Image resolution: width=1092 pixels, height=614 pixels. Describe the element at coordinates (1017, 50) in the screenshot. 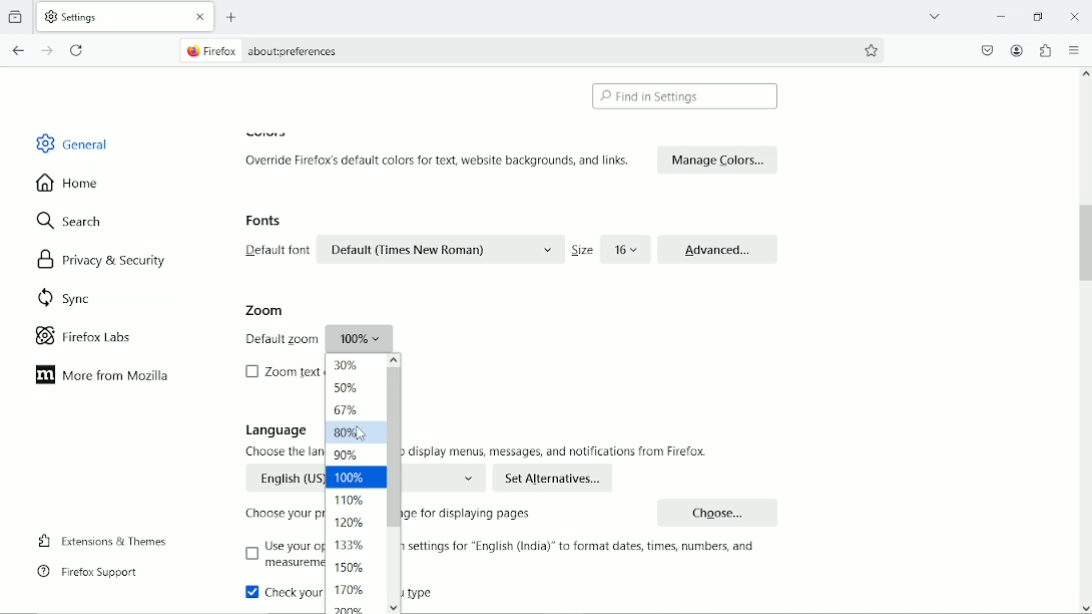

I see `account` at that location.